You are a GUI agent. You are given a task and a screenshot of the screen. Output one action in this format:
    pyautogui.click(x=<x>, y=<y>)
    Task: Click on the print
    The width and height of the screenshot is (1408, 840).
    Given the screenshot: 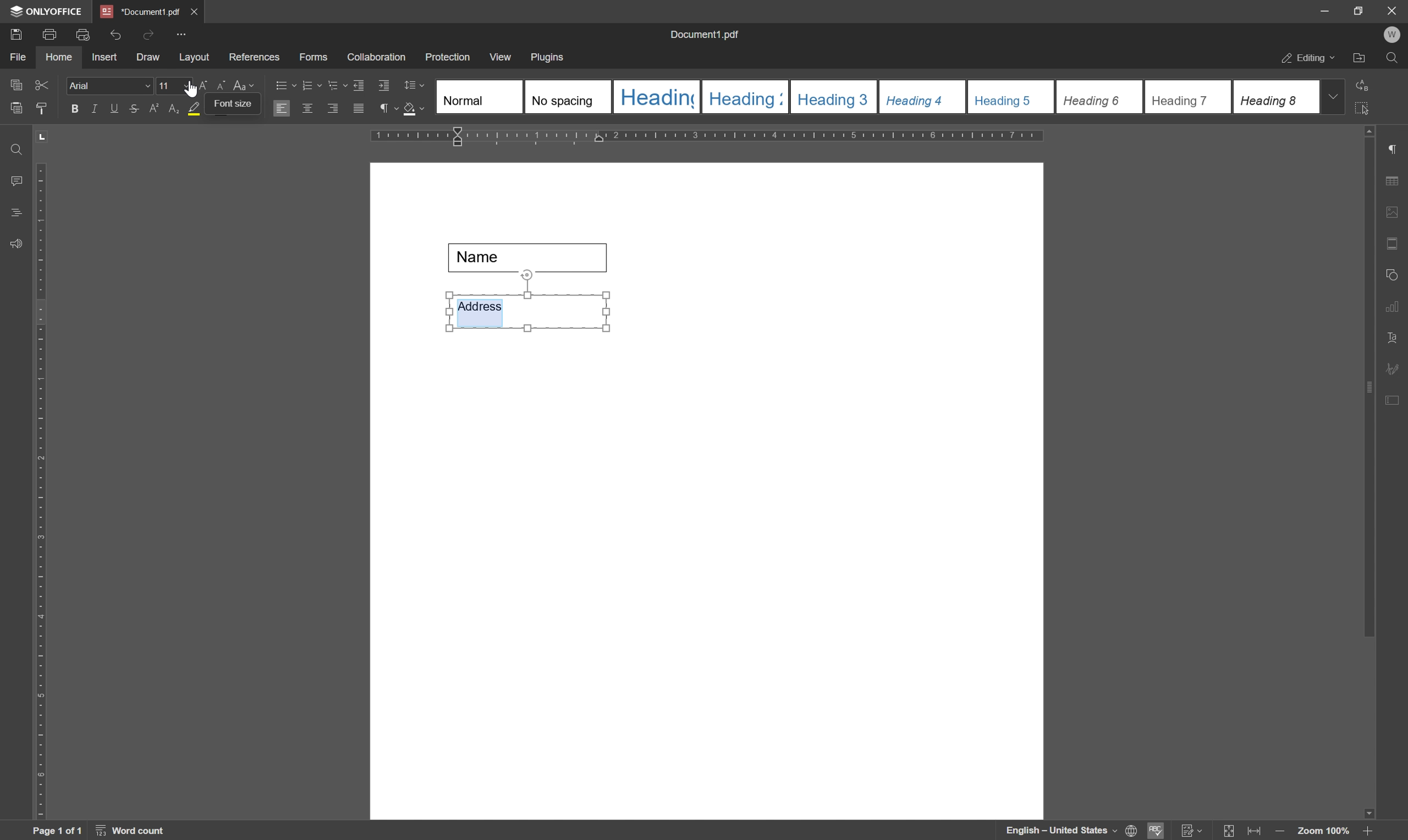 What is the action you would take?
    pyautogui.click(x=49, y=35)
    